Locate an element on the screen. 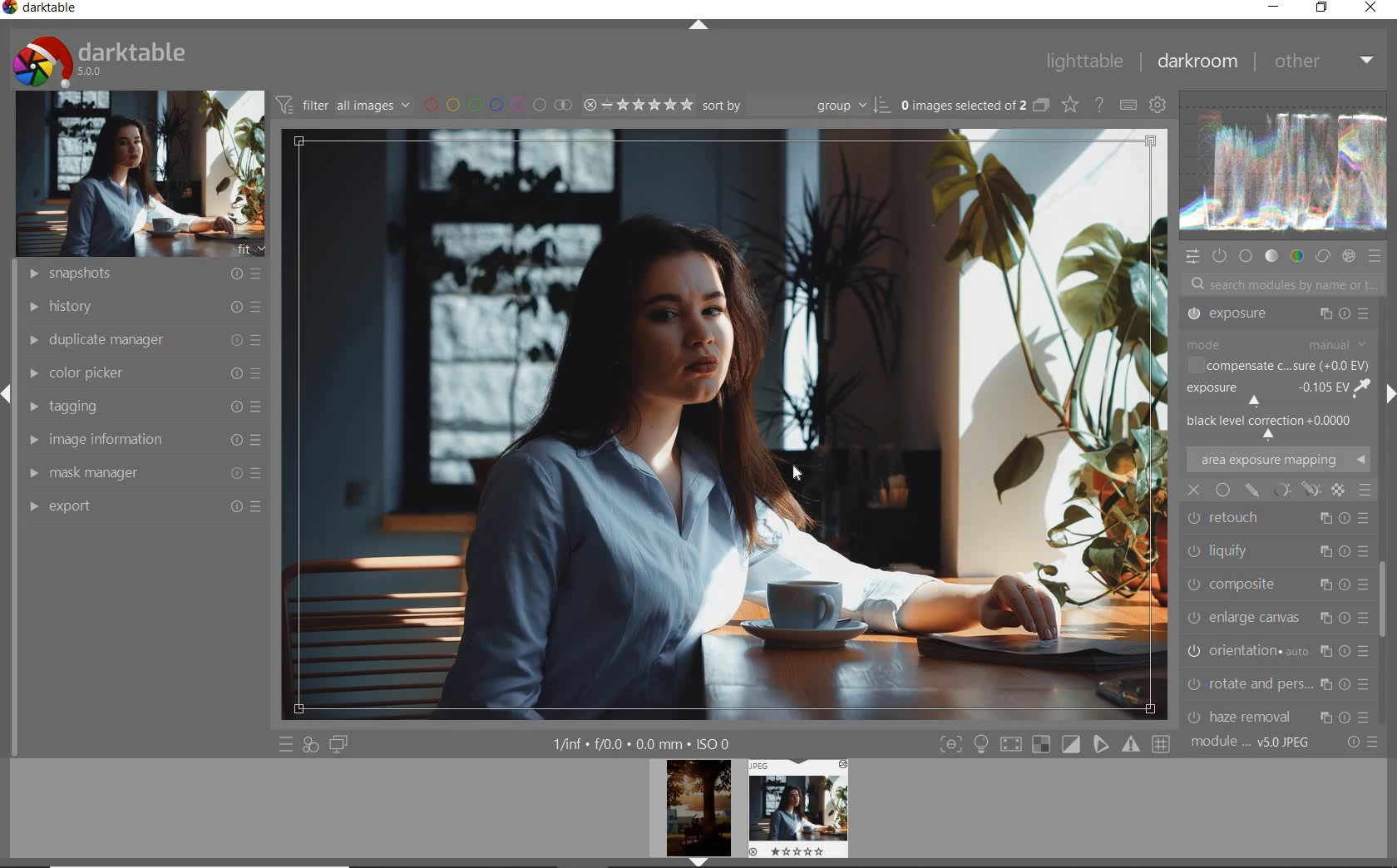 This screenshot has width=1397, height=868. CHANGE TYPE OF OVERRELAY is located at coordinates (1069, 104).